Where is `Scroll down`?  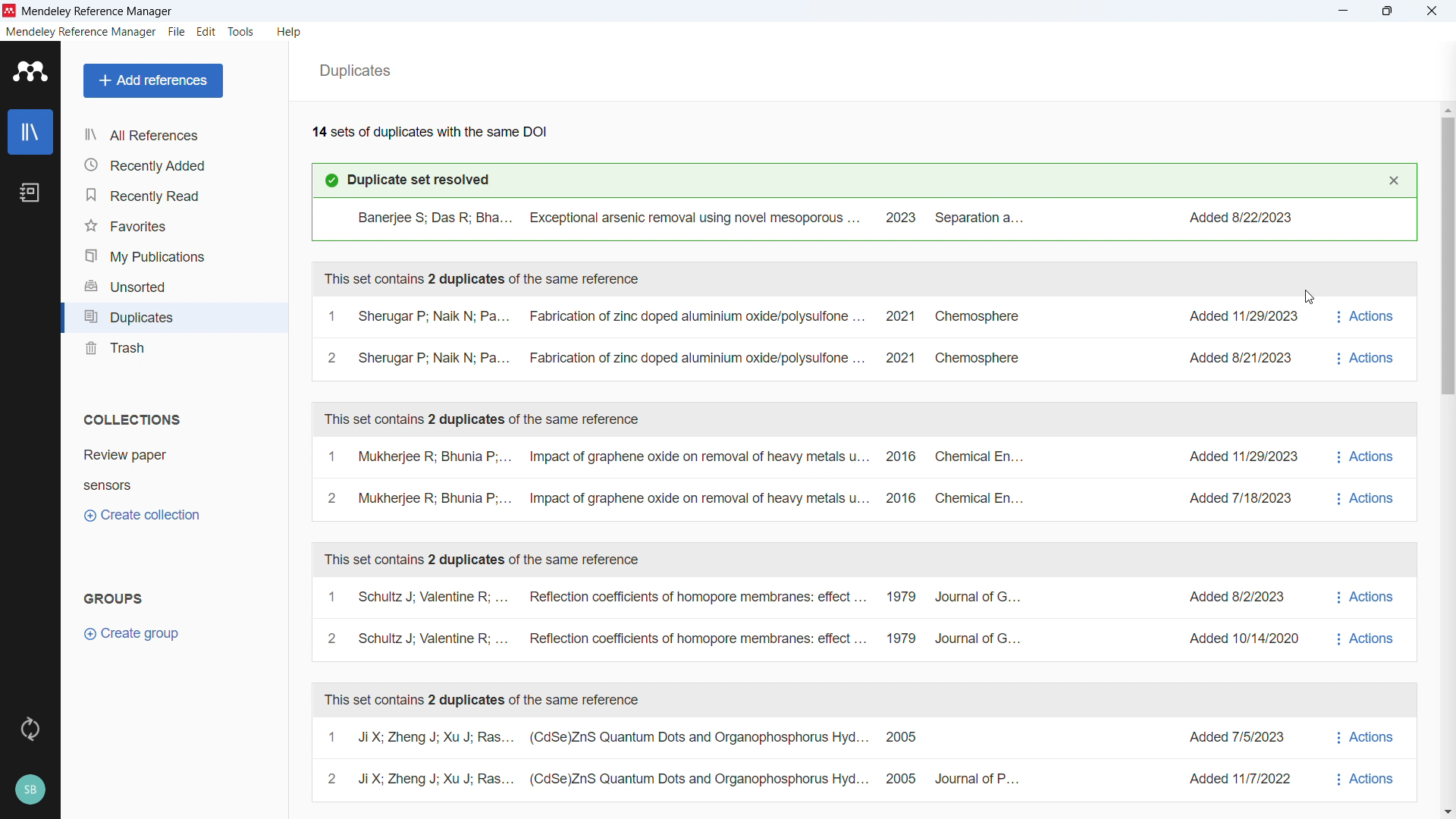
Scroll down is located at coordinates (1447, 811).